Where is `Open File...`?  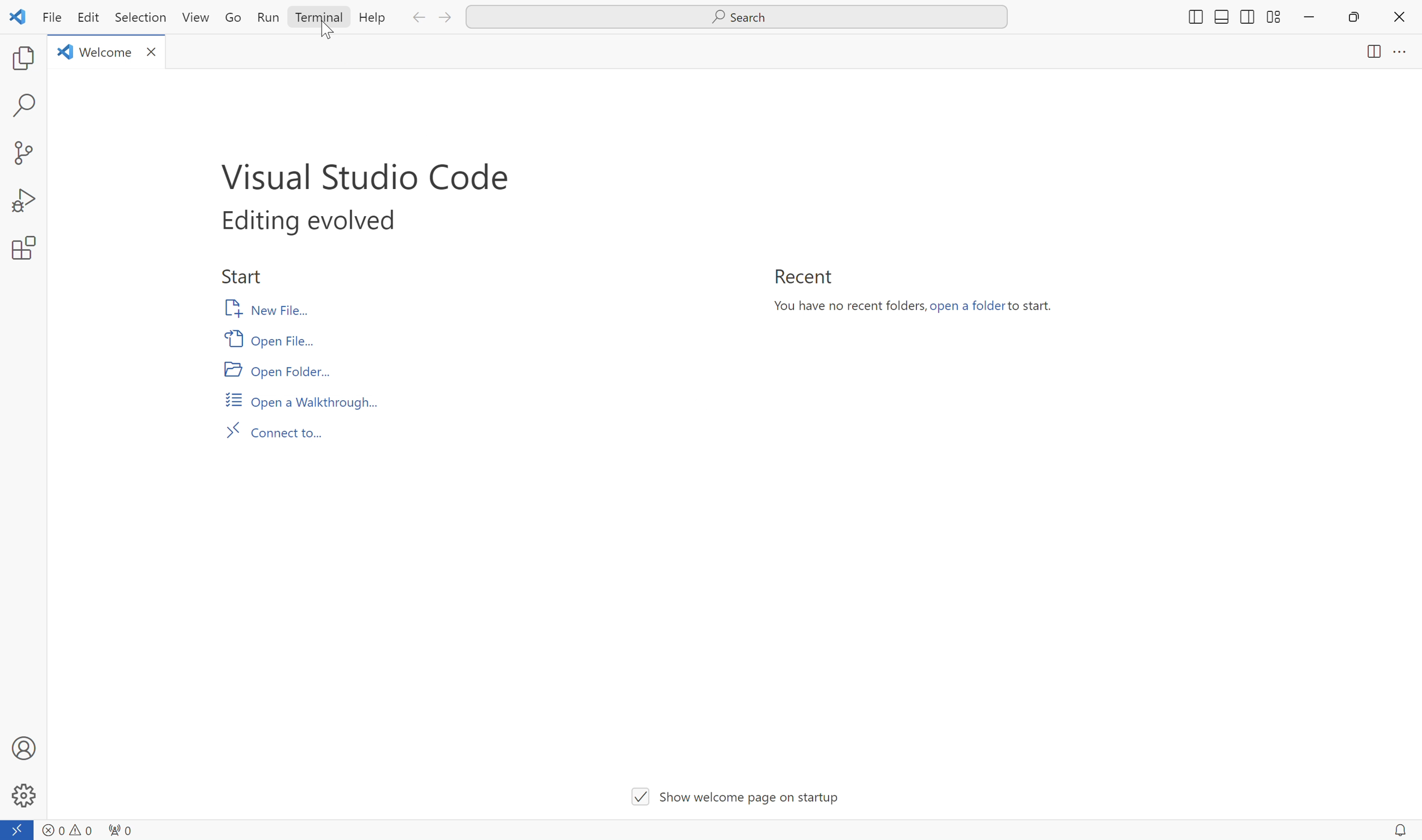 Open File... is located at coordinates (275, 338).